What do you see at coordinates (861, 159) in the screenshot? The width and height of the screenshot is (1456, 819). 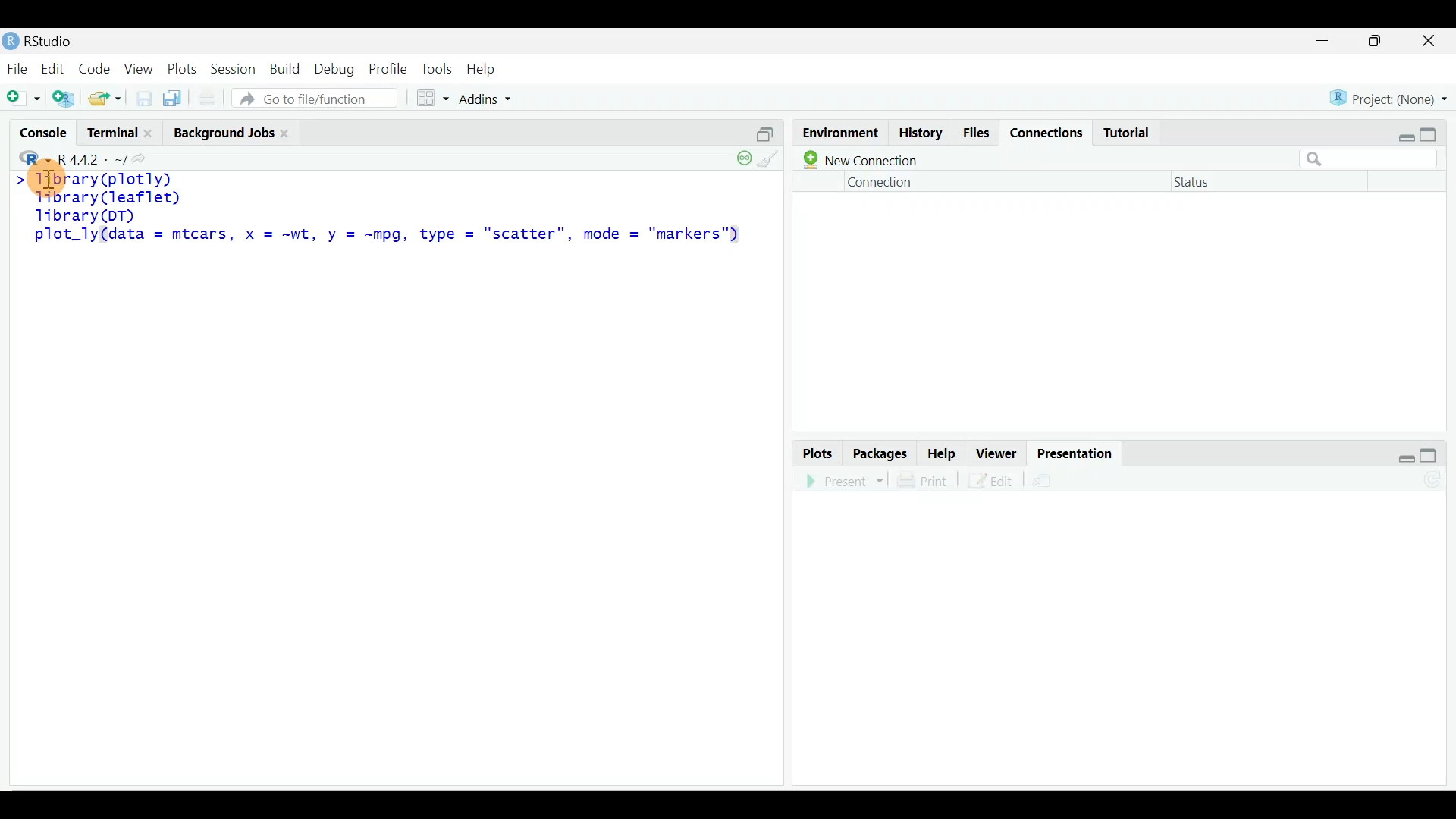 I see `New connection` at bounding box center [861, 159].